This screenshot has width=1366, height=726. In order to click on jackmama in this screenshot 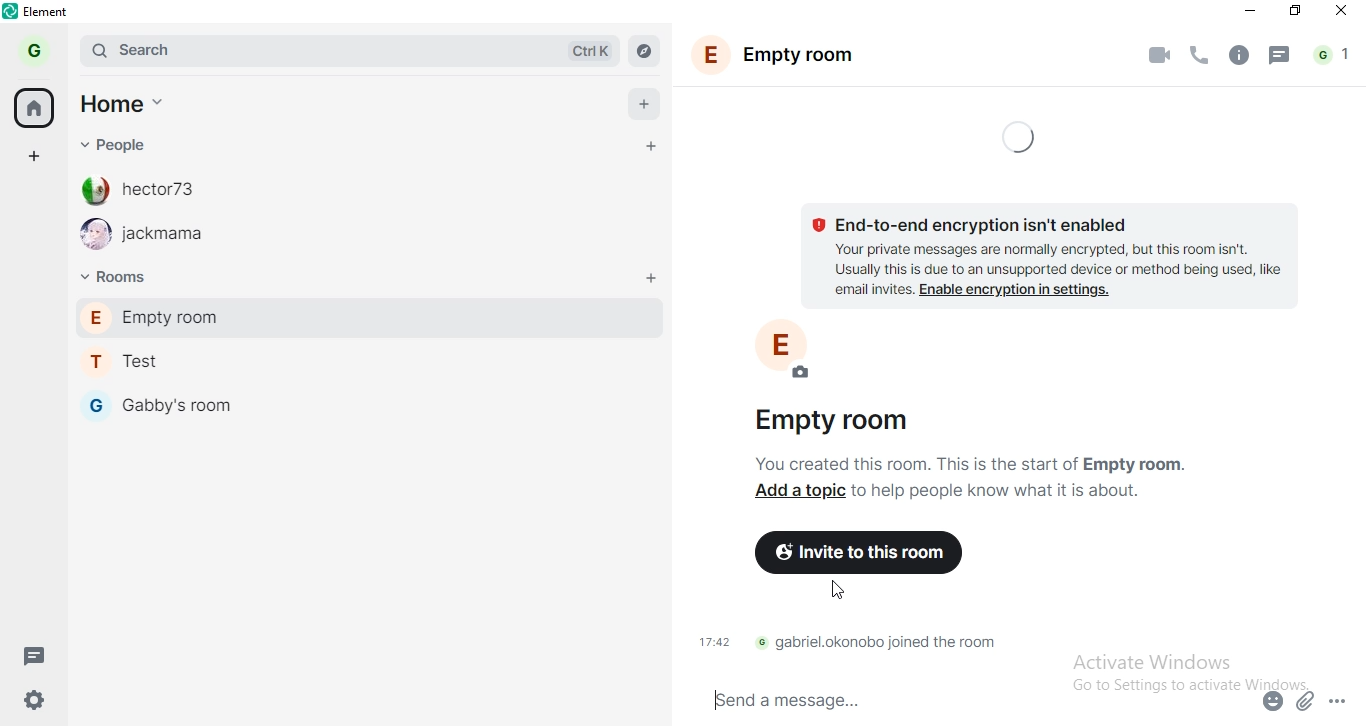, I will do `click(149, 235)`.